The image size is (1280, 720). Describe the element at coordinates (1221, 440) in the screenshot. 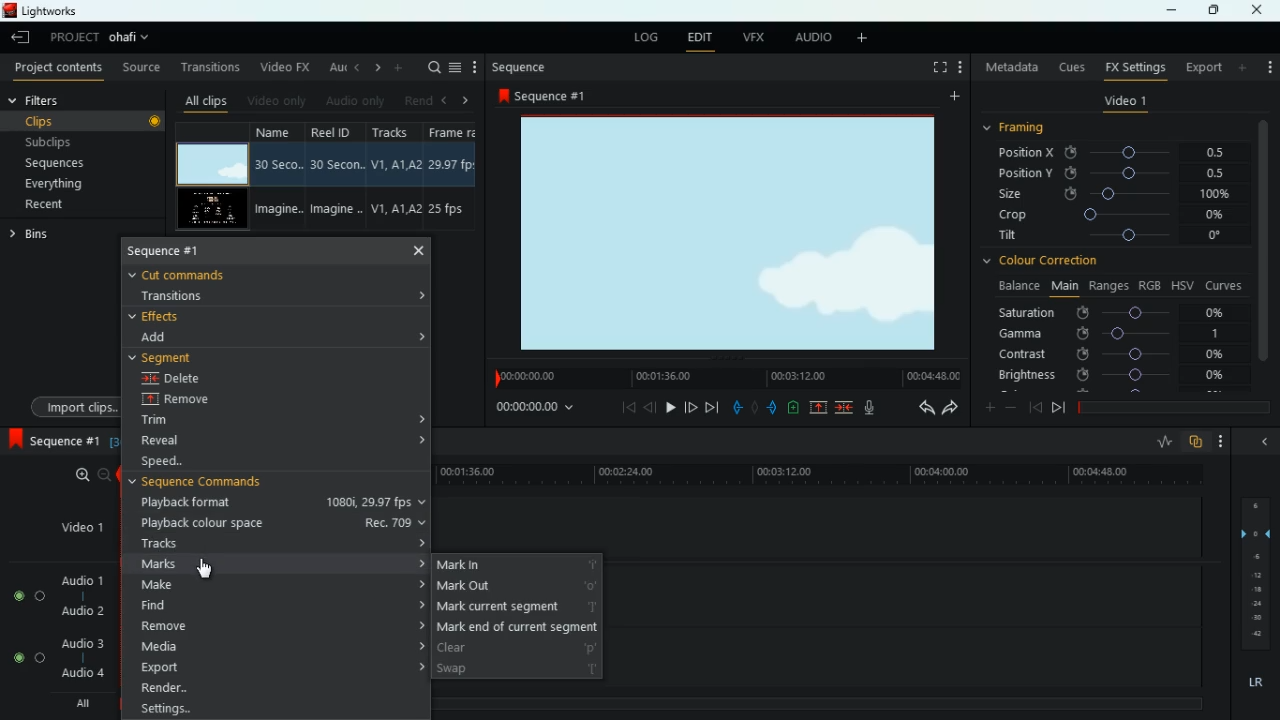

I see `more` at that location.